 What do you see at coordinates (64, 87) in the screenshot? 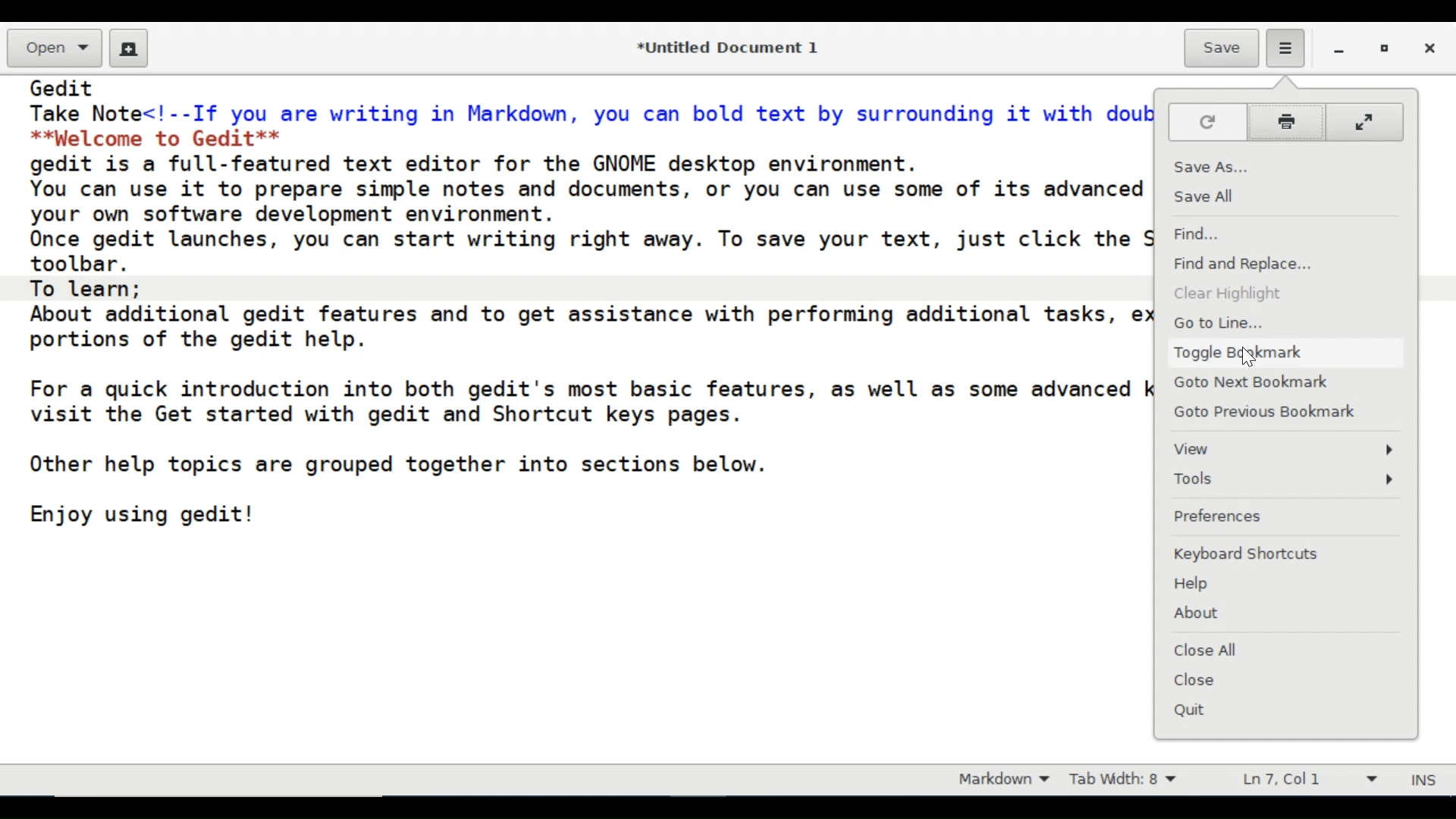
I see `Gedit` at bounding box center [64, 87].